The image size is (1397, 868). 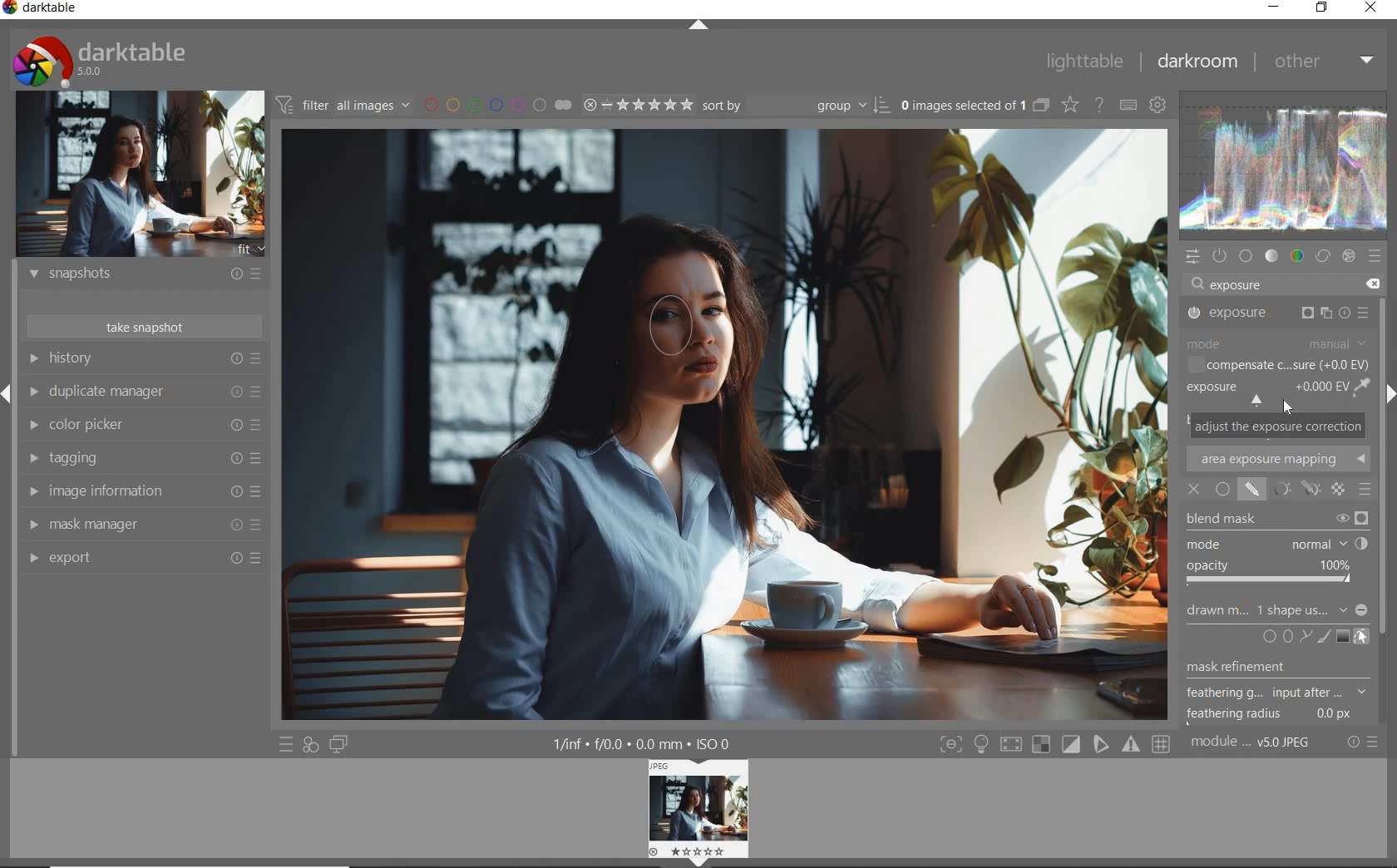 I want to click on module, so click(x=1253, y=744).